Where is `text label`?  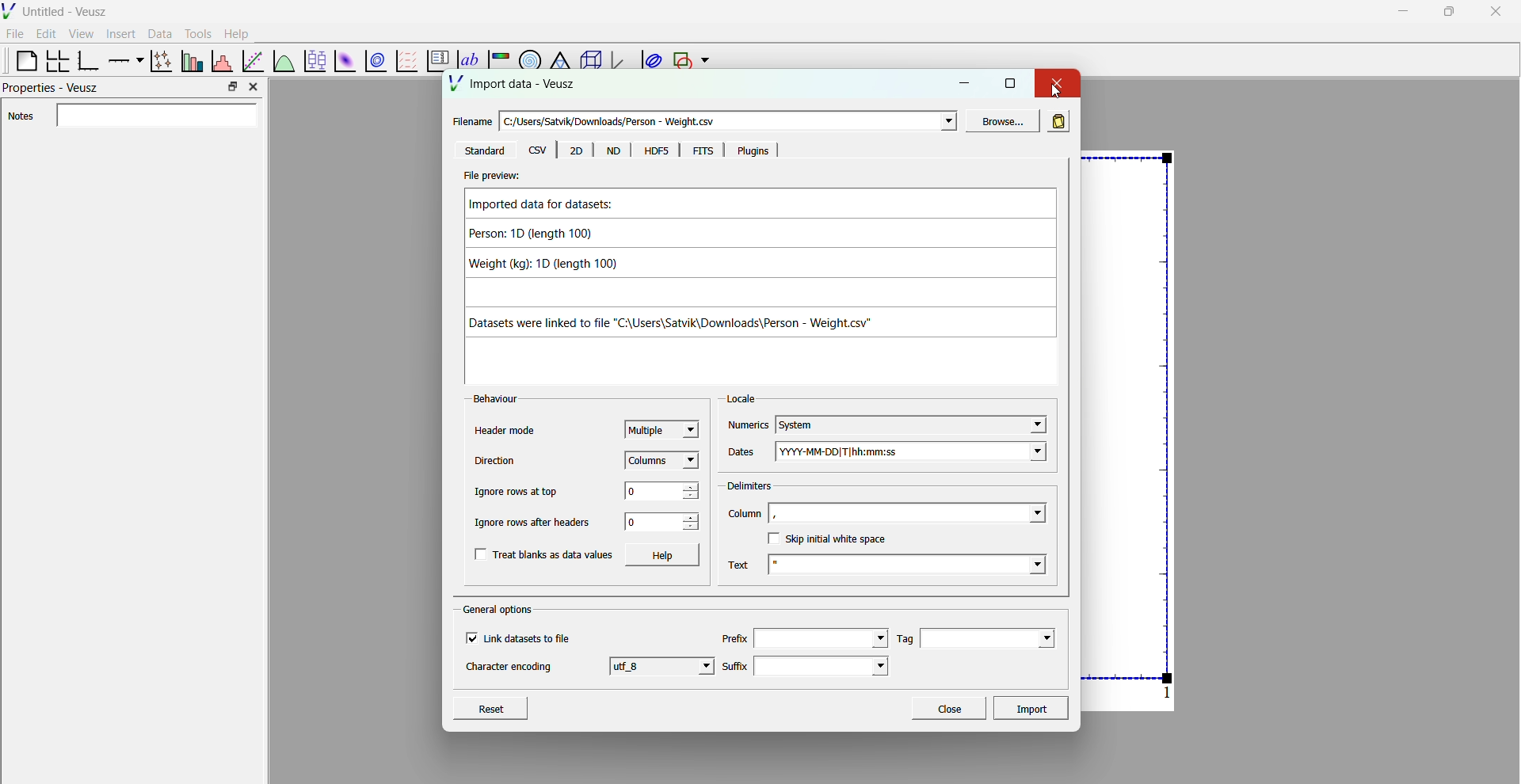
text label is located at coordinates (466, 51).